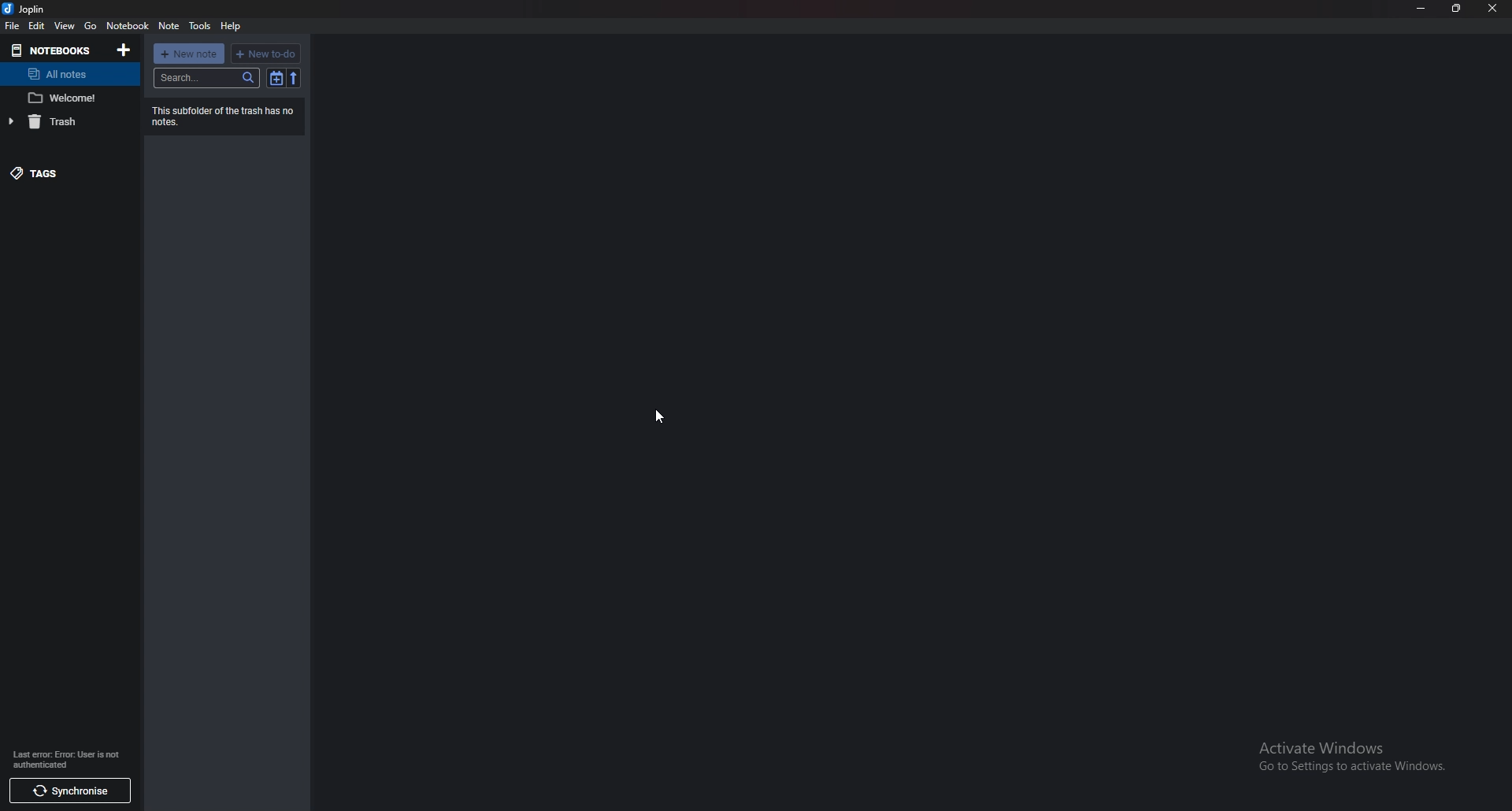  Describe the element at coordinates (65, 25) in the screenshot. I see `view` at that location.